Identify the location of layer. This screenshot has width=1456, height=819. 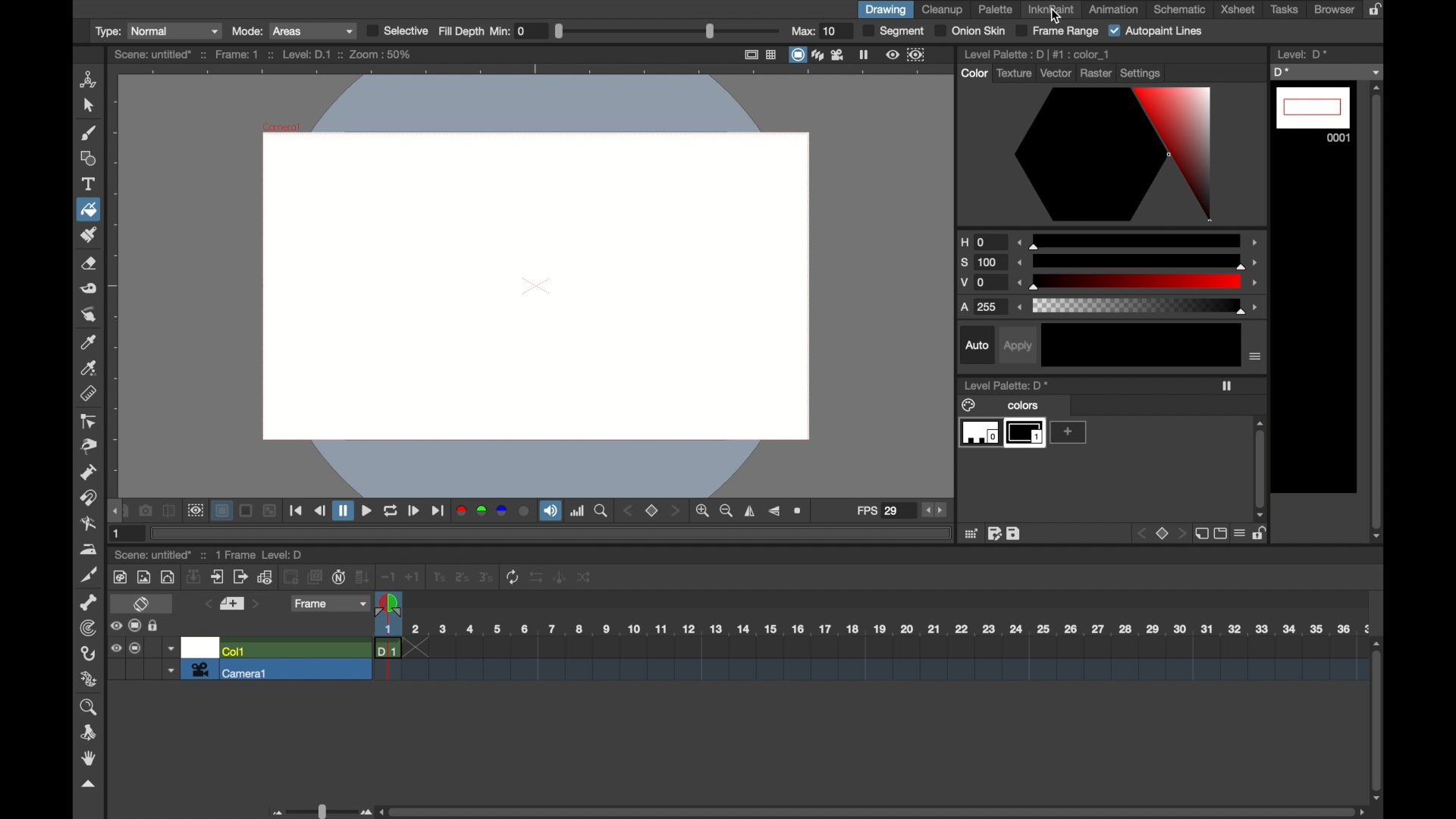
(223, 511).